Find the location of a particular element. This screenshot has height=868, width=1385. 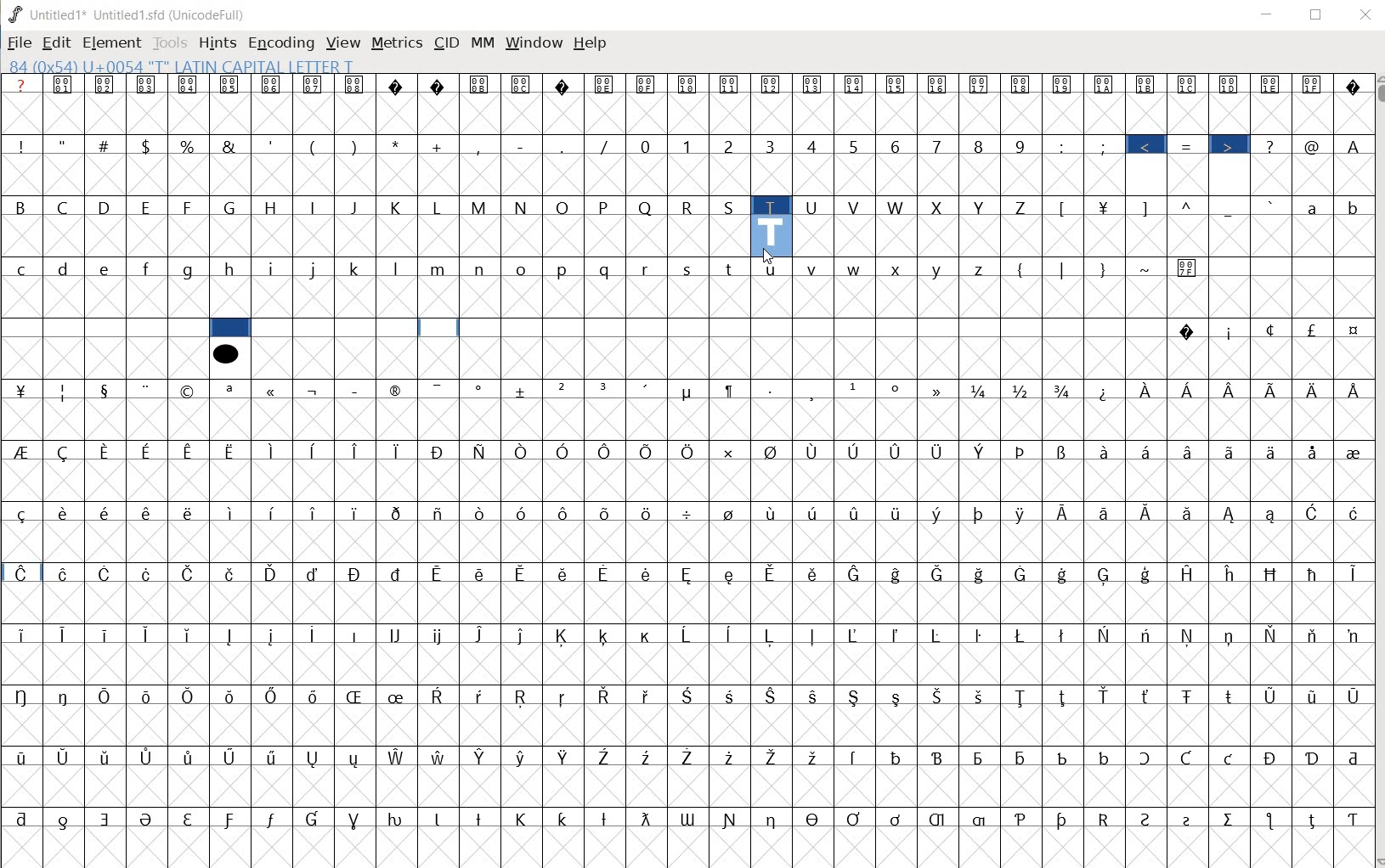

a is located at coordinates (1314, 206).